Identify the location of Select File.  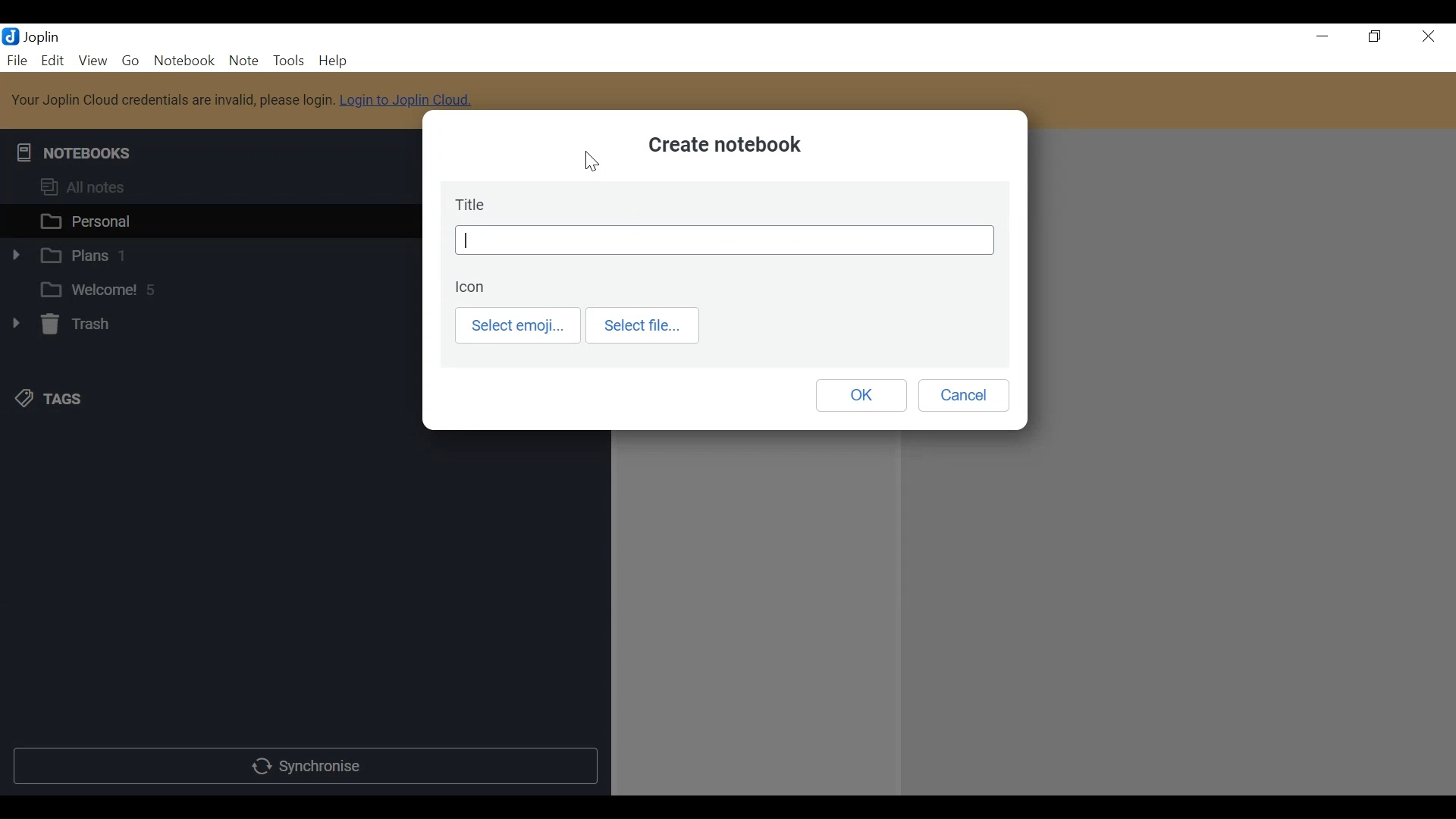
(644, 326).